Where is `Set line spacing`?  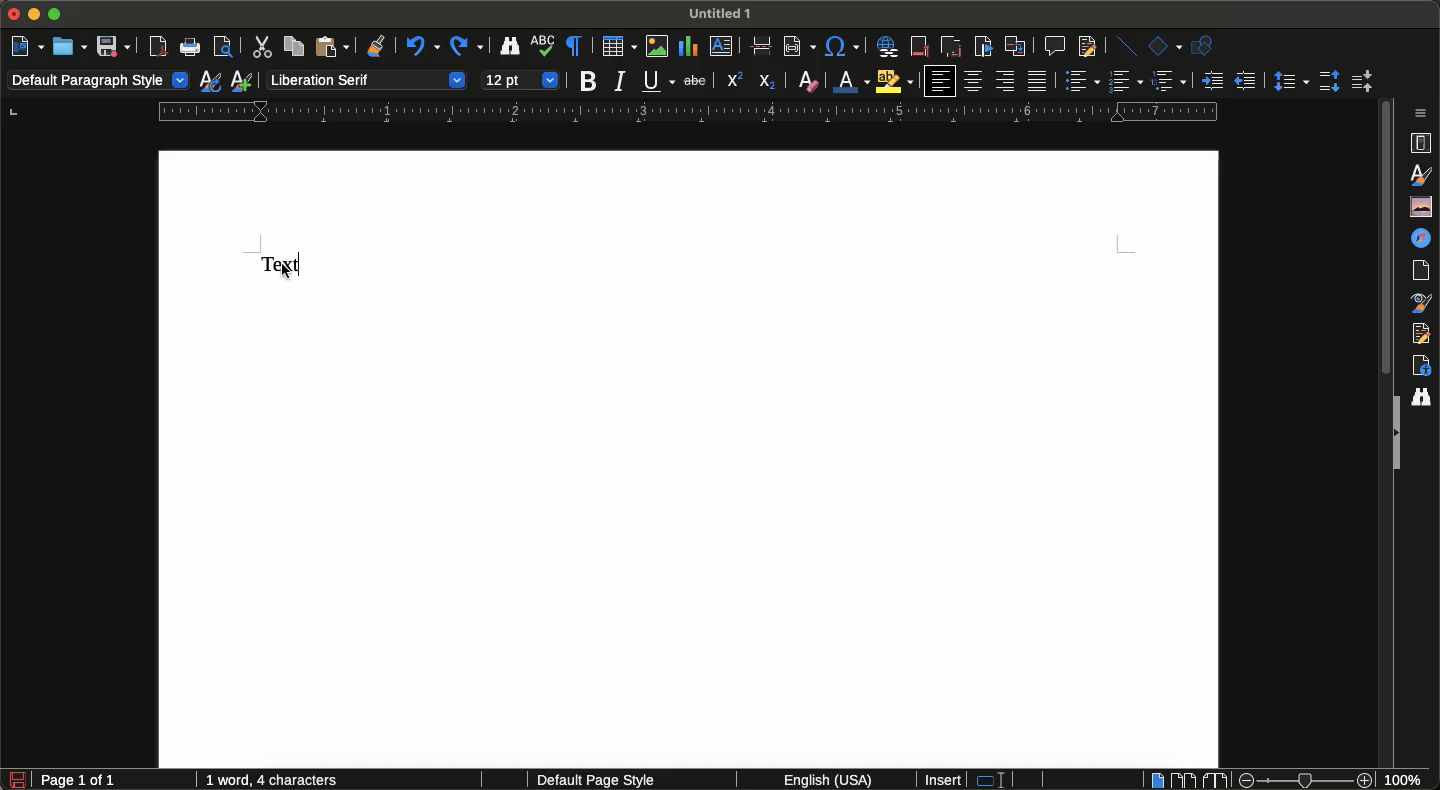 Set line spacing is located at coordinates (1289, 80).